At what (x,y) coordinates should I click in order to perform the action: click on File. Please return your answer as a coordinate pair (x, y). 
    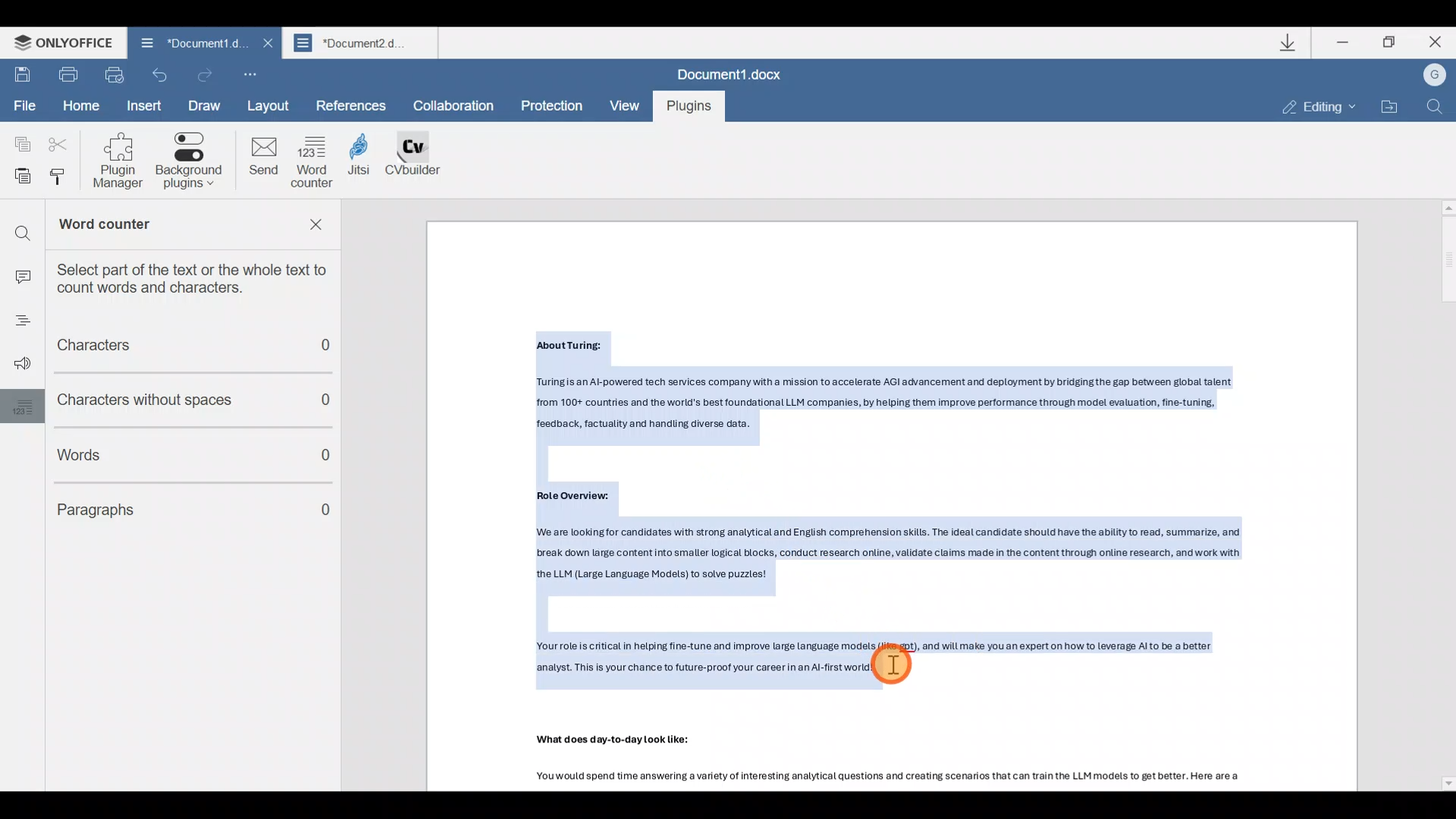
    Looking at the image, I should click on (24, 106).